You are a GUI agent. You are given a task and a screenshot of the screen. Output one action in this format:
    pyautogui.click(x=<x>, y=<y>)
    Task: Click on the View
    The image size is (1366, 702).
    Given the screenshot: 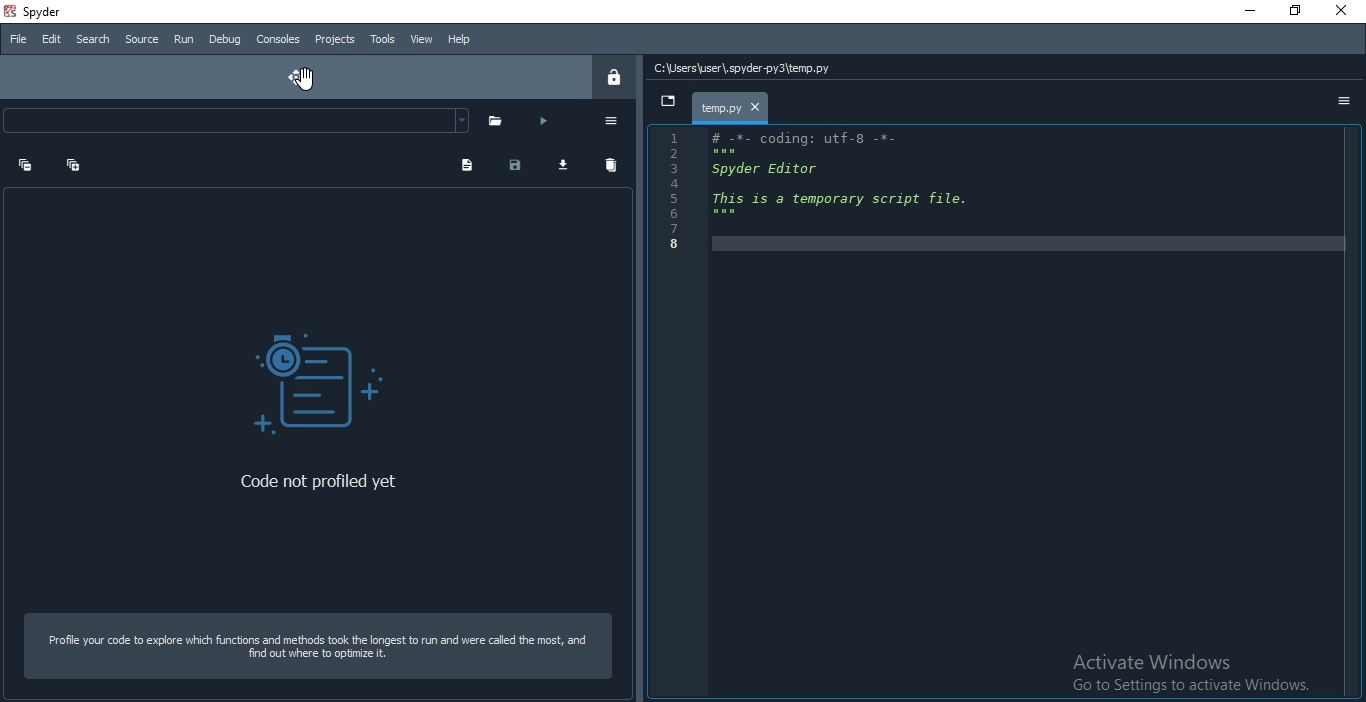 What is the action you would take?
    pyautogui.click(x=419, y=37)
    